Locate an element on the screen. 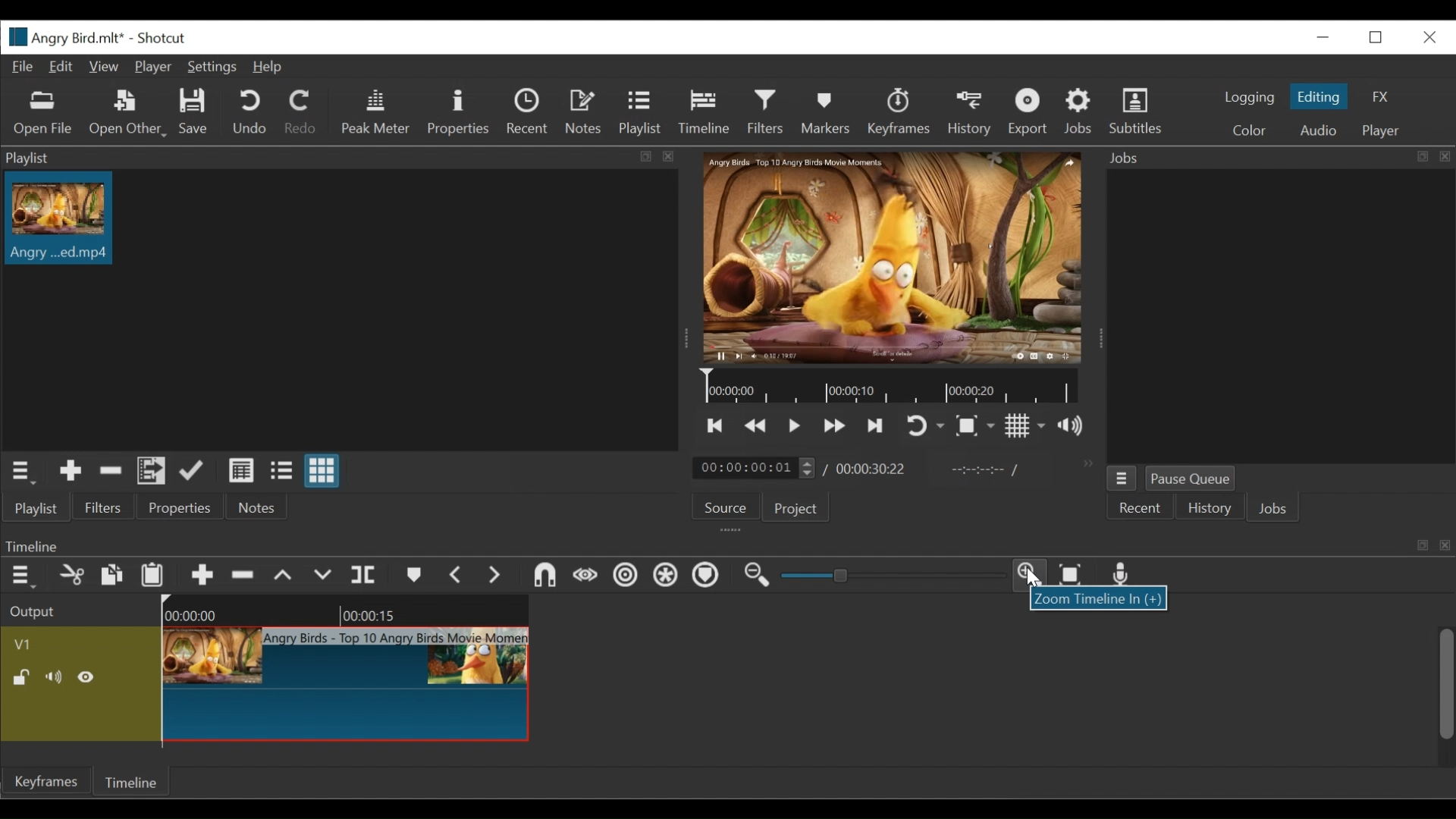  Toggle display grid on player is located at coordinates (1026, 426).